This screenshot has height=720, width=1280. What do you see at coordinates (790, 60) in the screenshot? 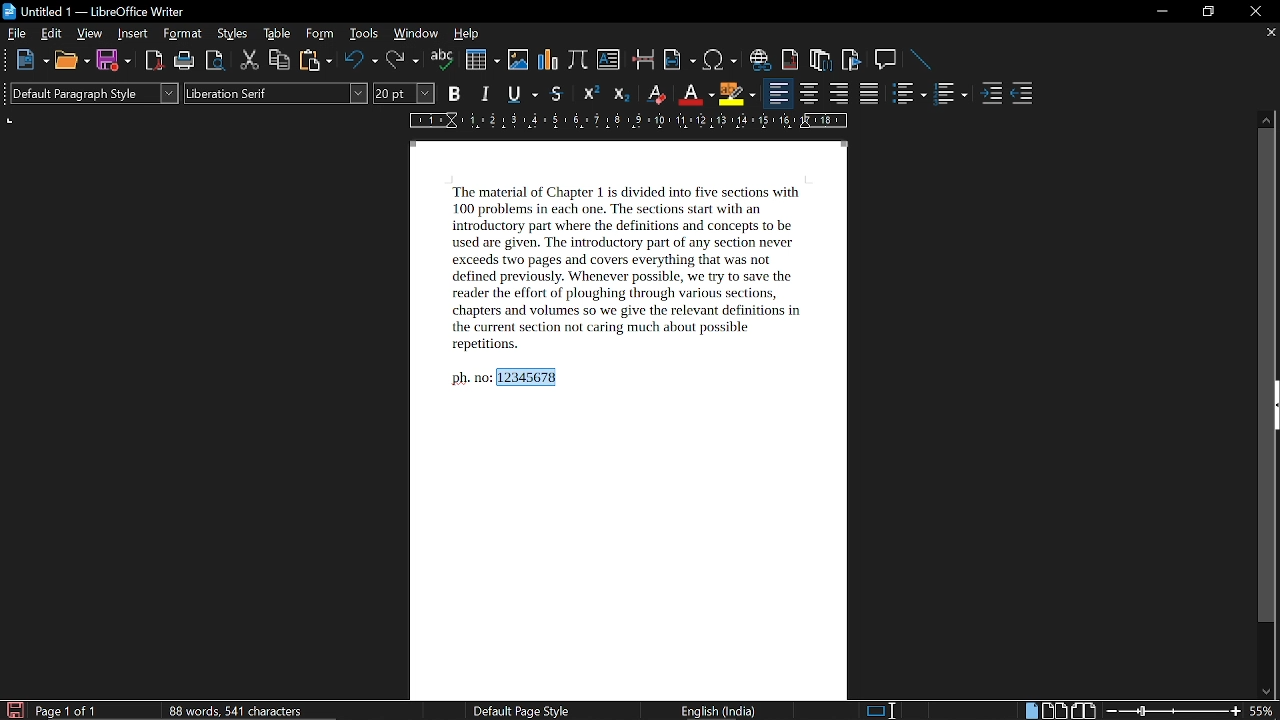
I see `insert footnote` at bounding box center [790, 60].